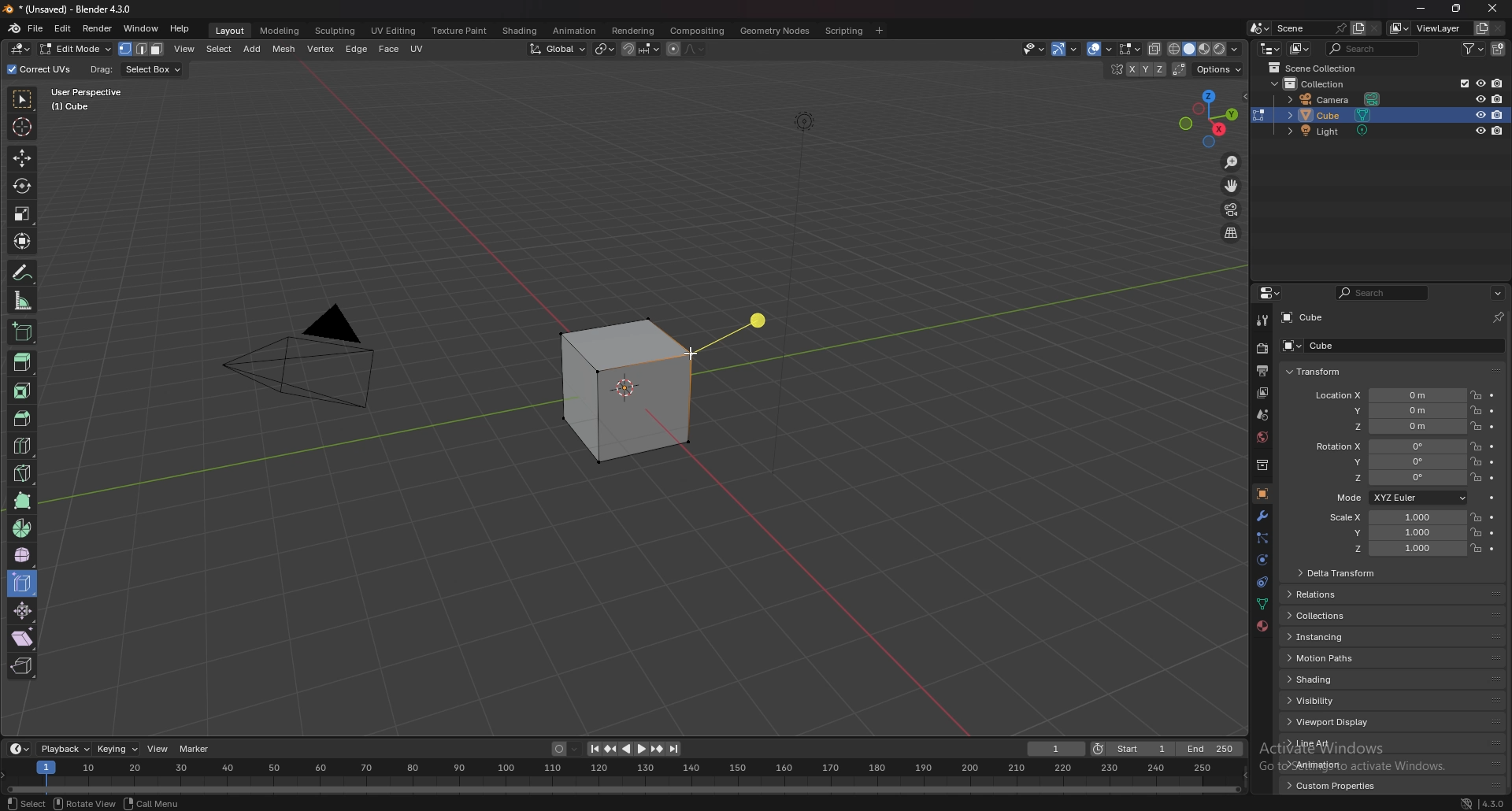 The width and height of the screenshot is (1512, 811). Describe the element at coordinates (1137, 70) in the screenshot. I see `enable mesh symmetry` at that location.